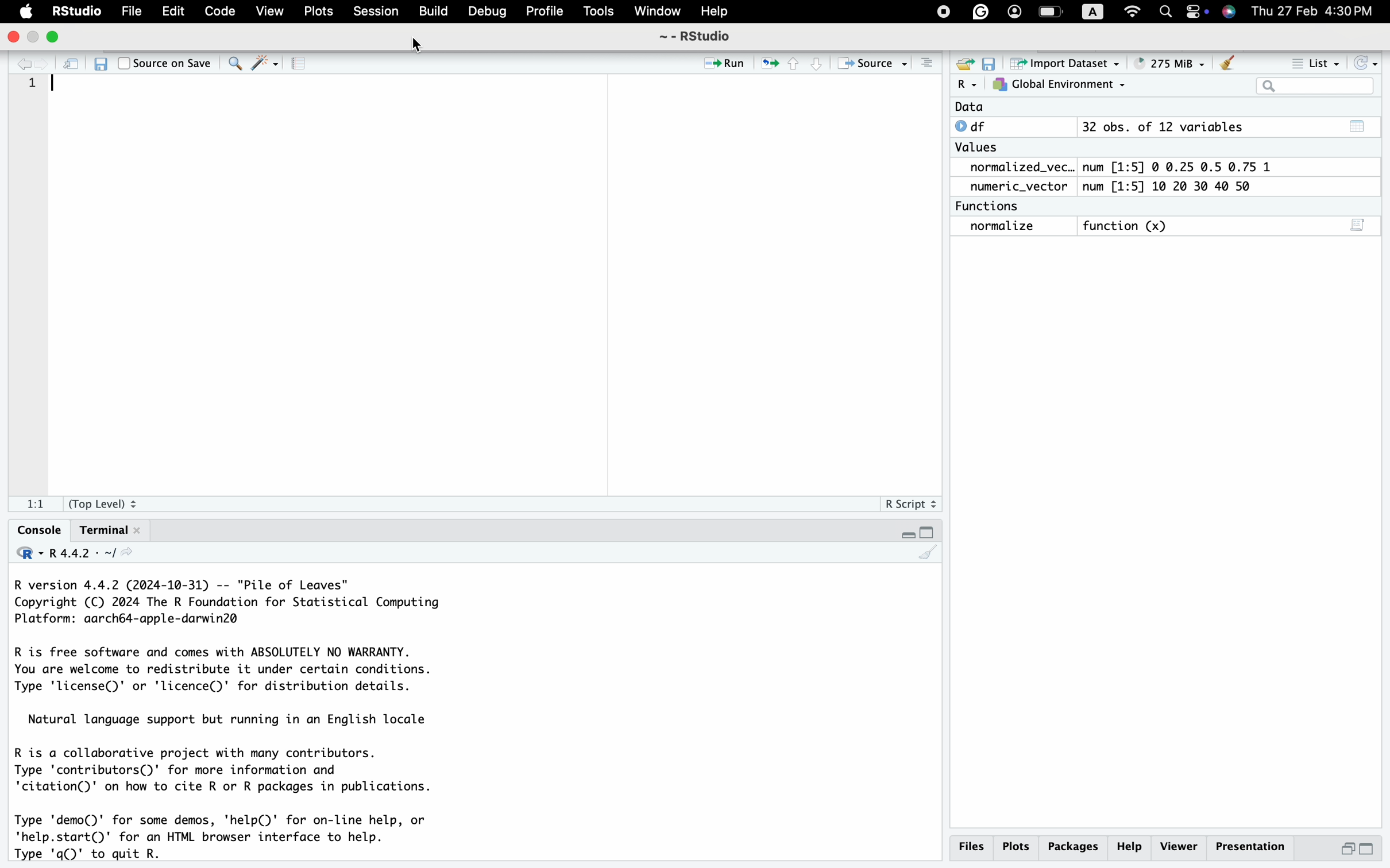 This screenshot has width=1390, height=868. Describe the element at coordinates (929, 530) in the screenshot. I see `maximize` at that location.